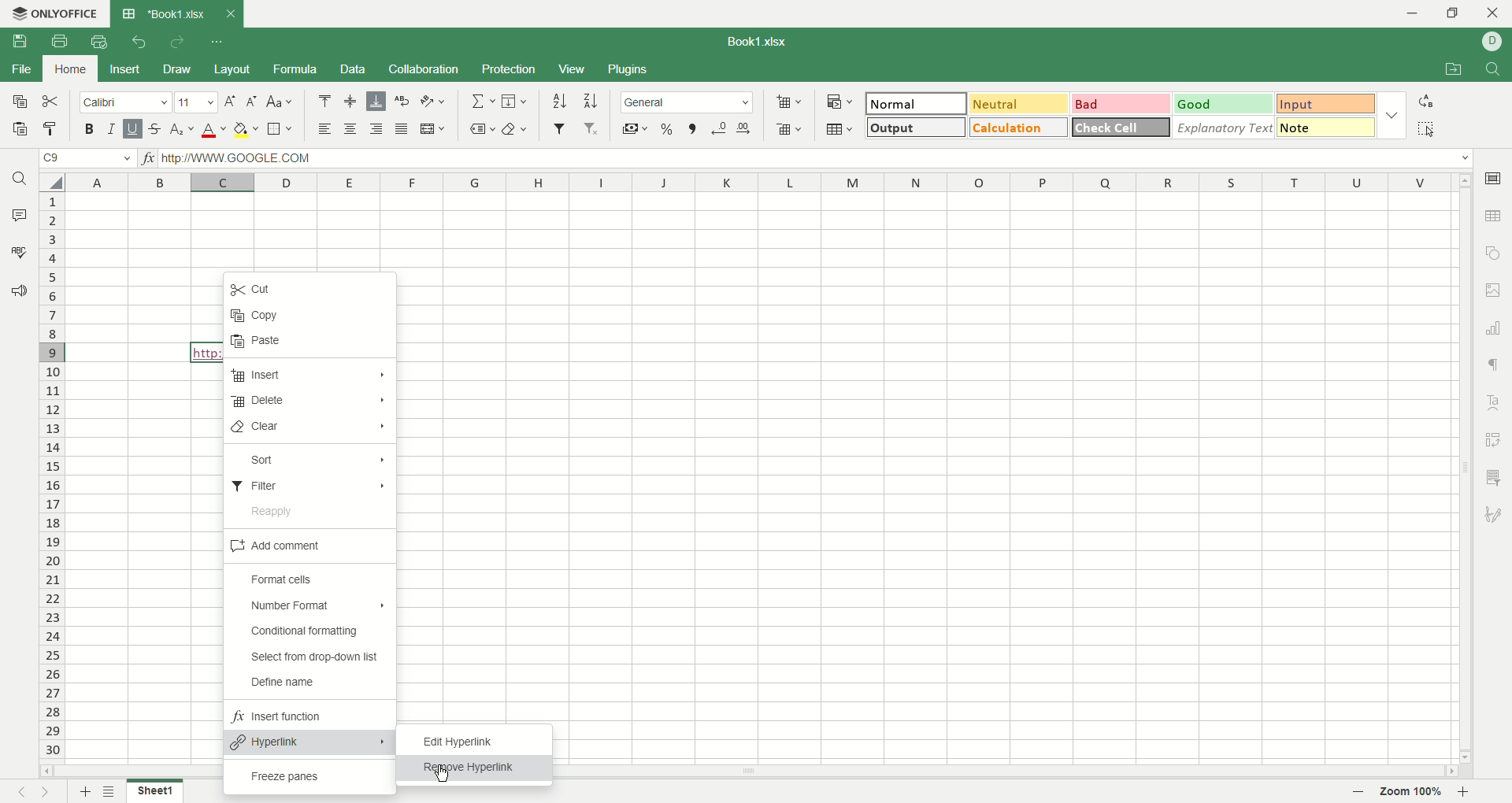 This screenshot has height=803, width=1512. I want to click on print, so click(57, 41).